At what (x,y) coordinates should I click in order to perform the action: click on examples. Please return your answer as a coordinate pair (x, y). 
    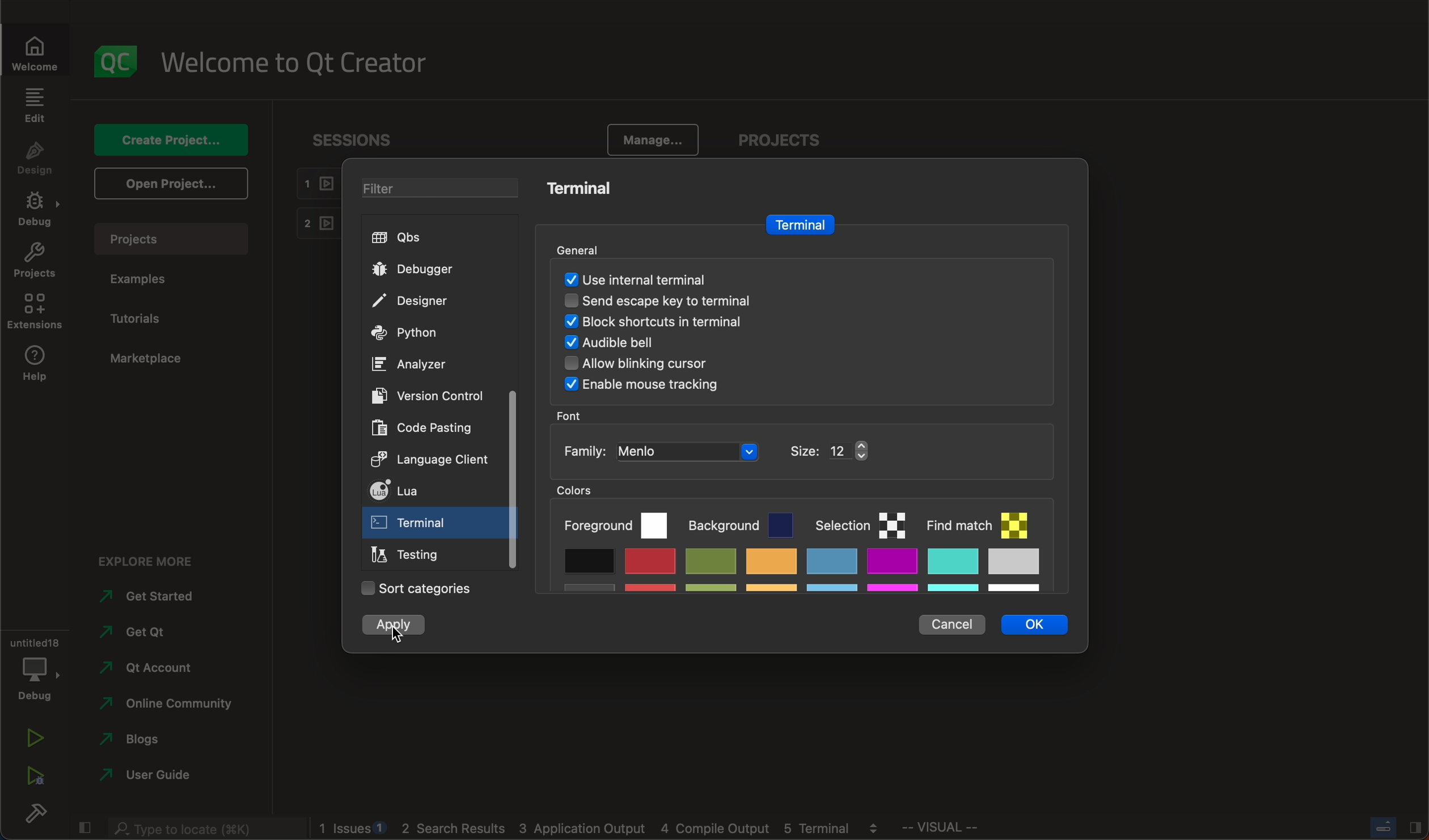
    Looking at the image, I should click on (150, 279).